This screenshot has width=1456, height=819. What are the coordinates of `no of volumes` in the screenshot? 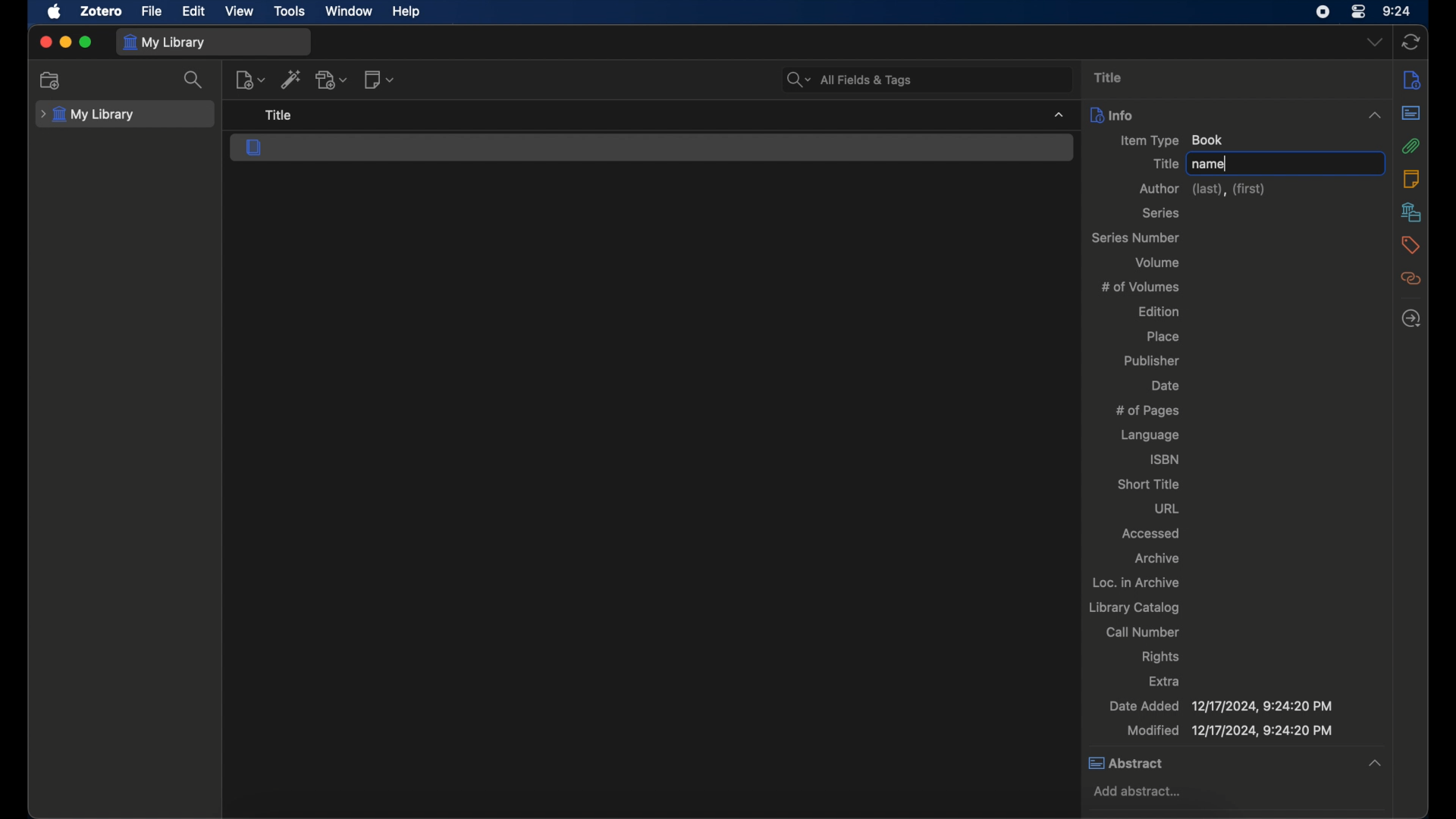 It's located at (1141, 287).